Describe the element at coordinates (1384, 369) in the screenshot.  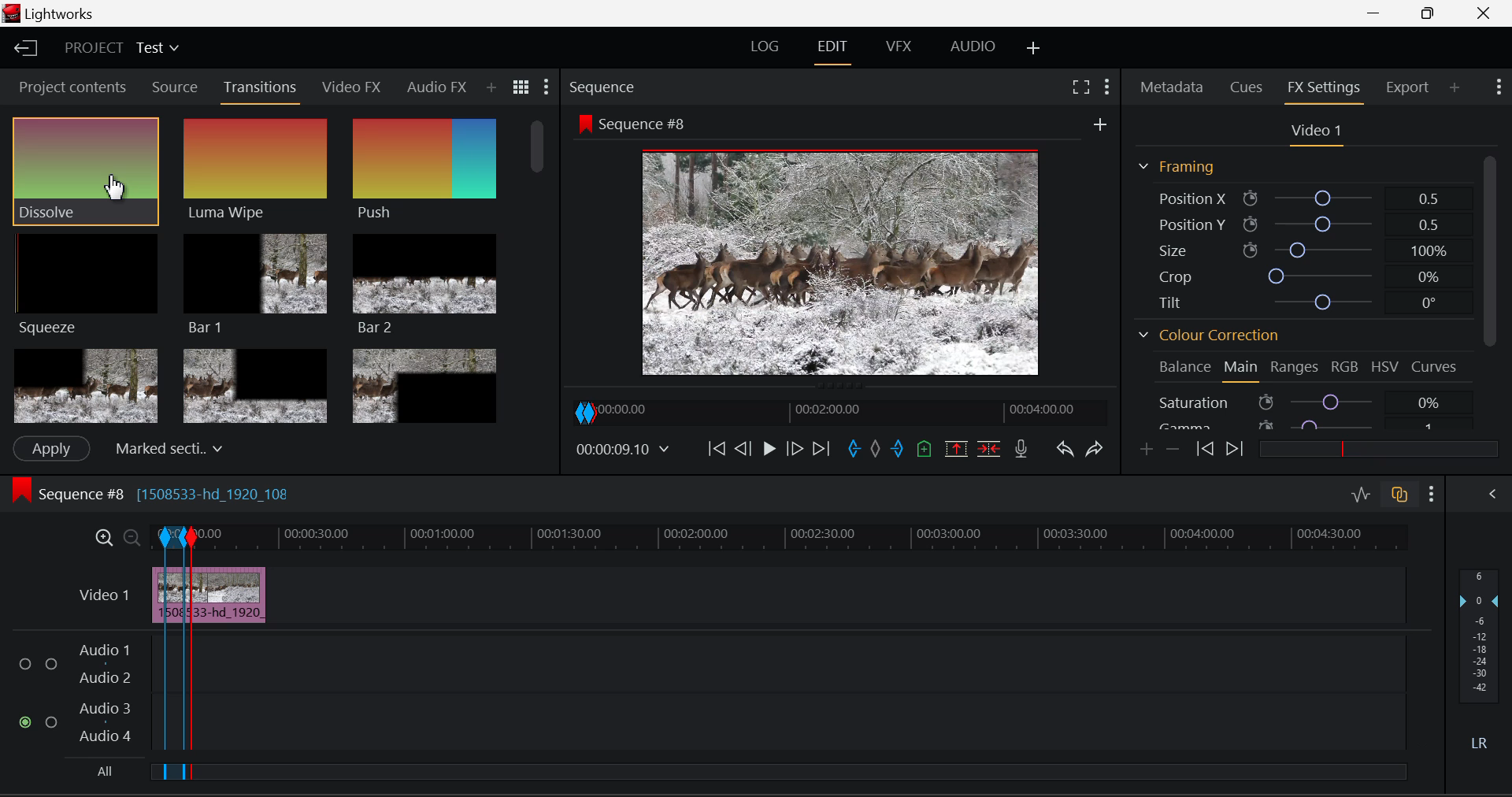
I see `HSV` at that location.